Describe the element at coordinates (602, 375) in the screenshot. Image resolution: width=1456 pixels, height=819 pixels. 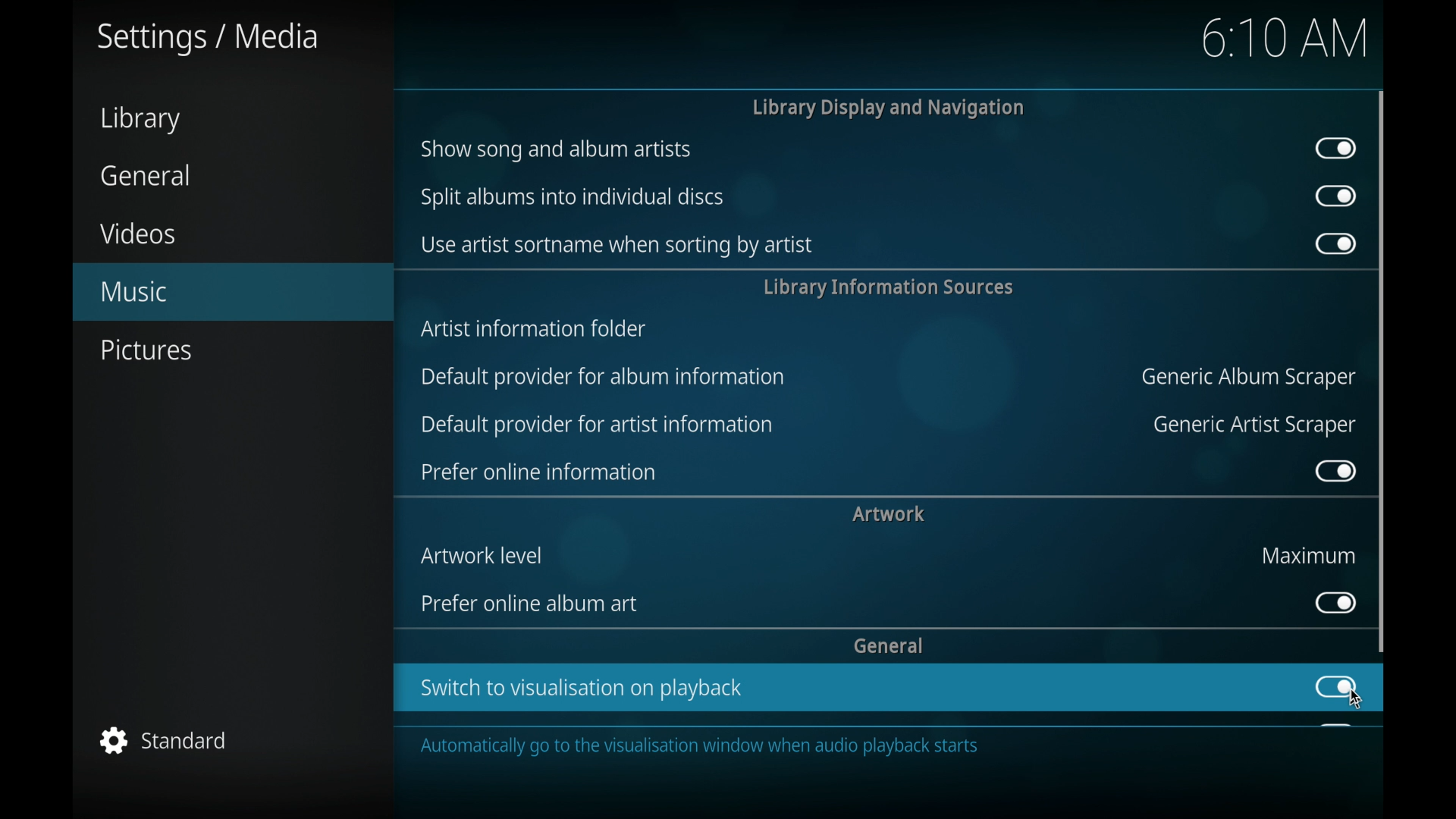
I see `default provider for album information` at that location.